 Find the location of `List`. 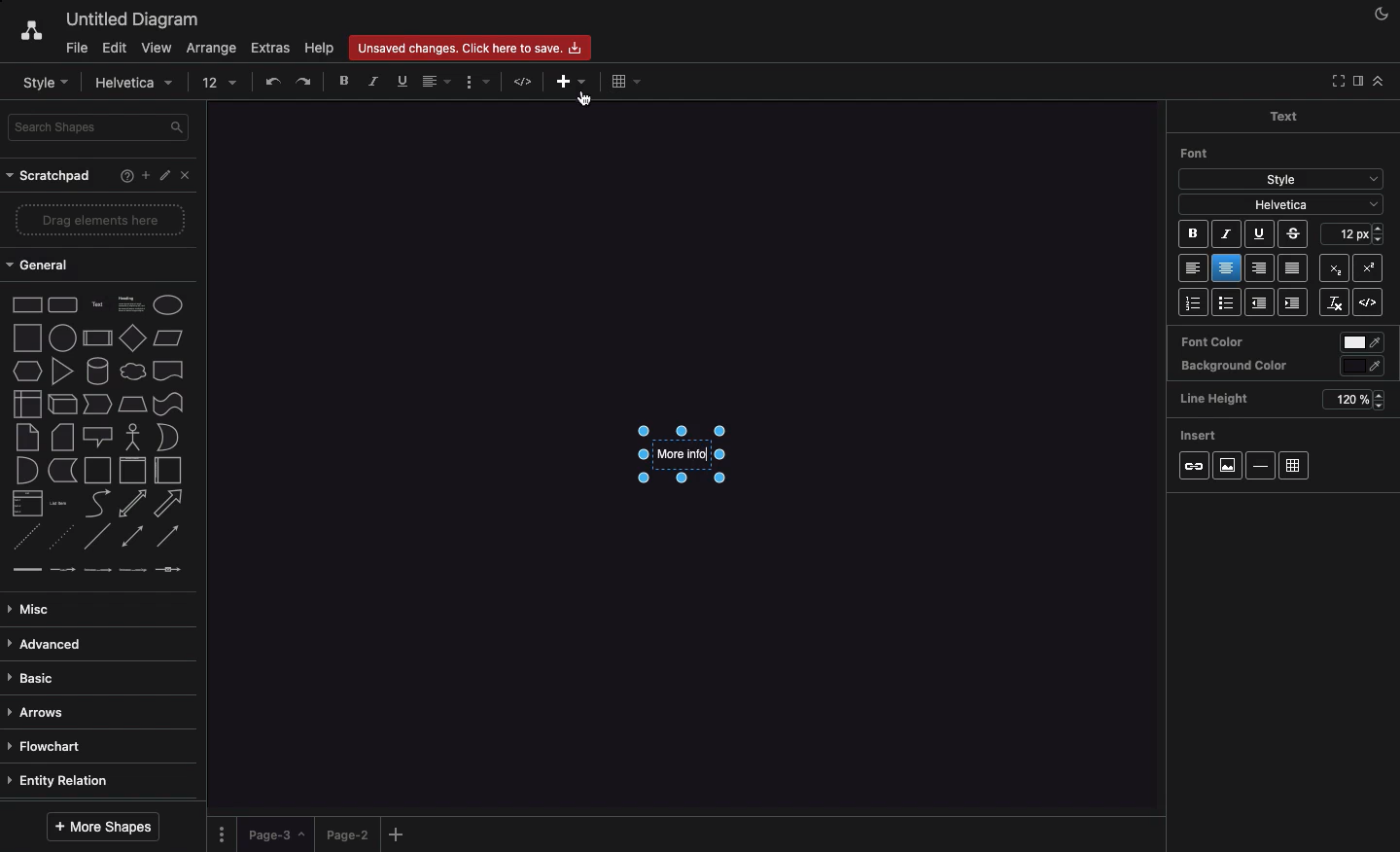

List is located at coordinates (1192, 302).